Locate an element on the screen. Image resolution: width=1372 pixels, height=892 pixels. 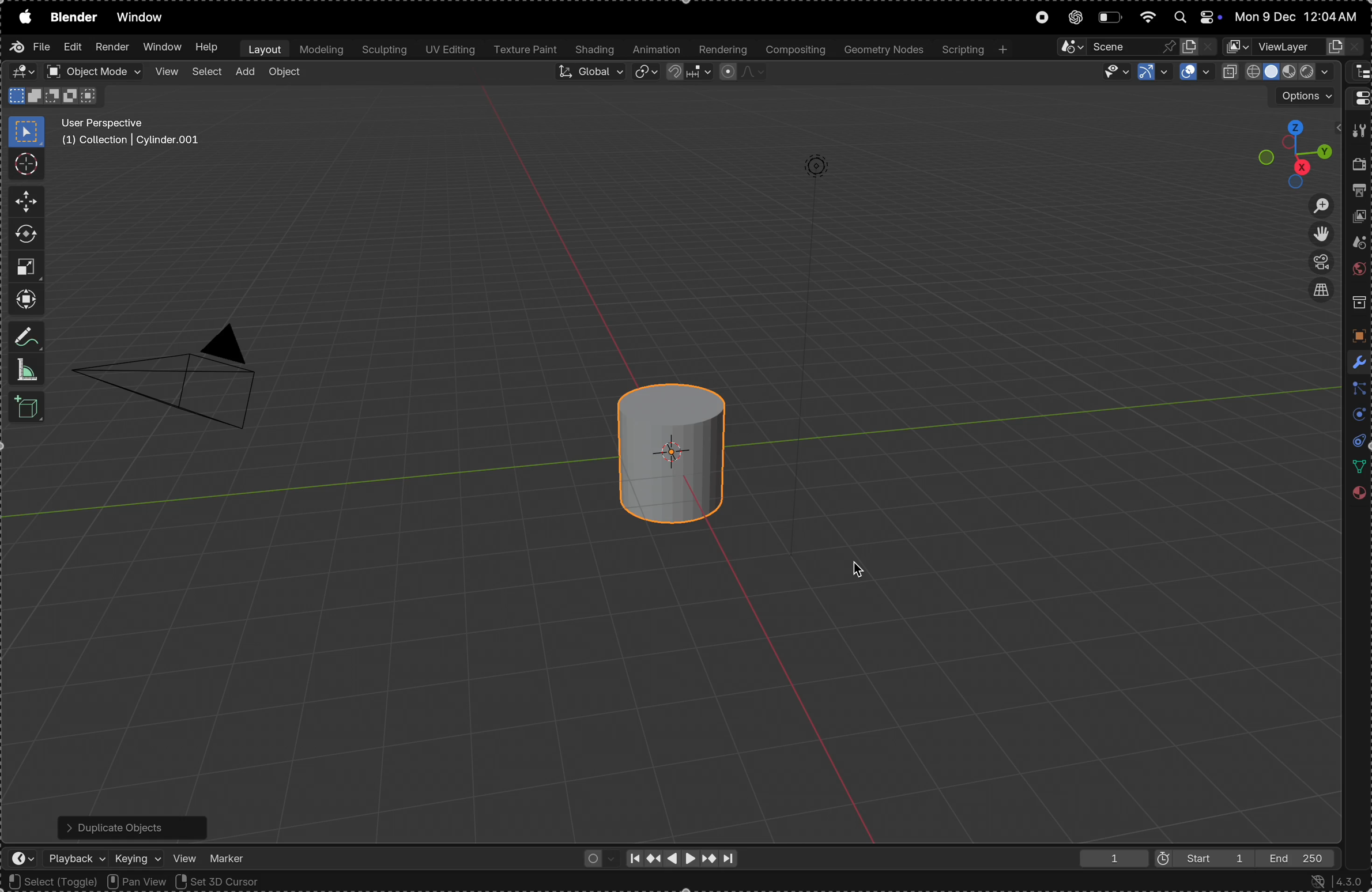
collections is located at coordinates (1358, 303).